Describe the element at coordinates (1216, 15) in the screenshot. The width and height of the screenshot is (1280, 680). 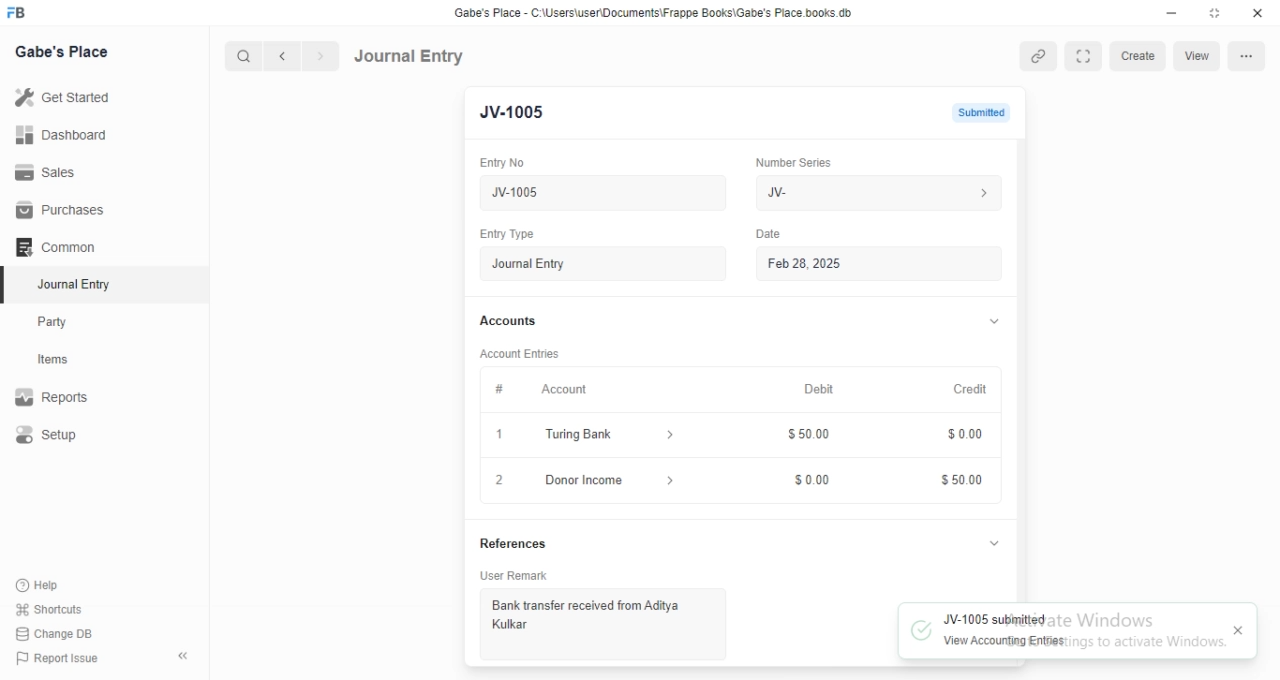
I see `restore down` at that location.